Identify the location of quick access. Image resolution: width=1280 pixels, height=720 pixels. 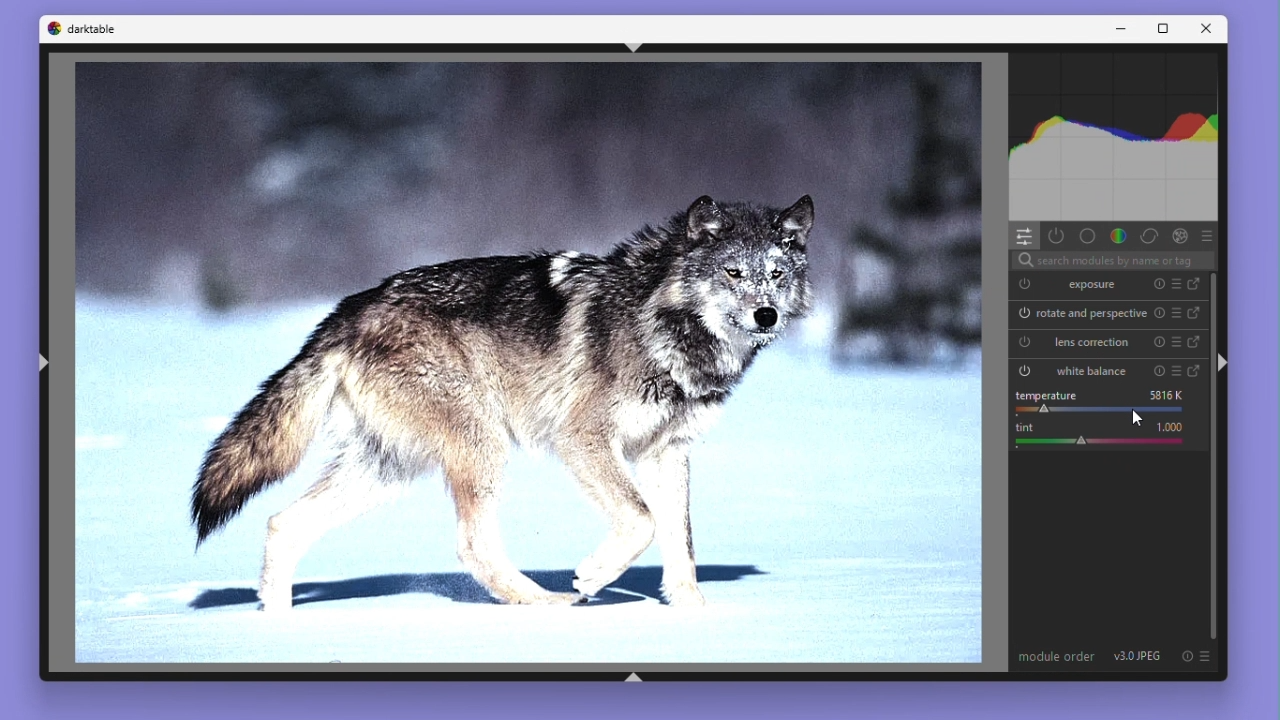
(1025, 235).